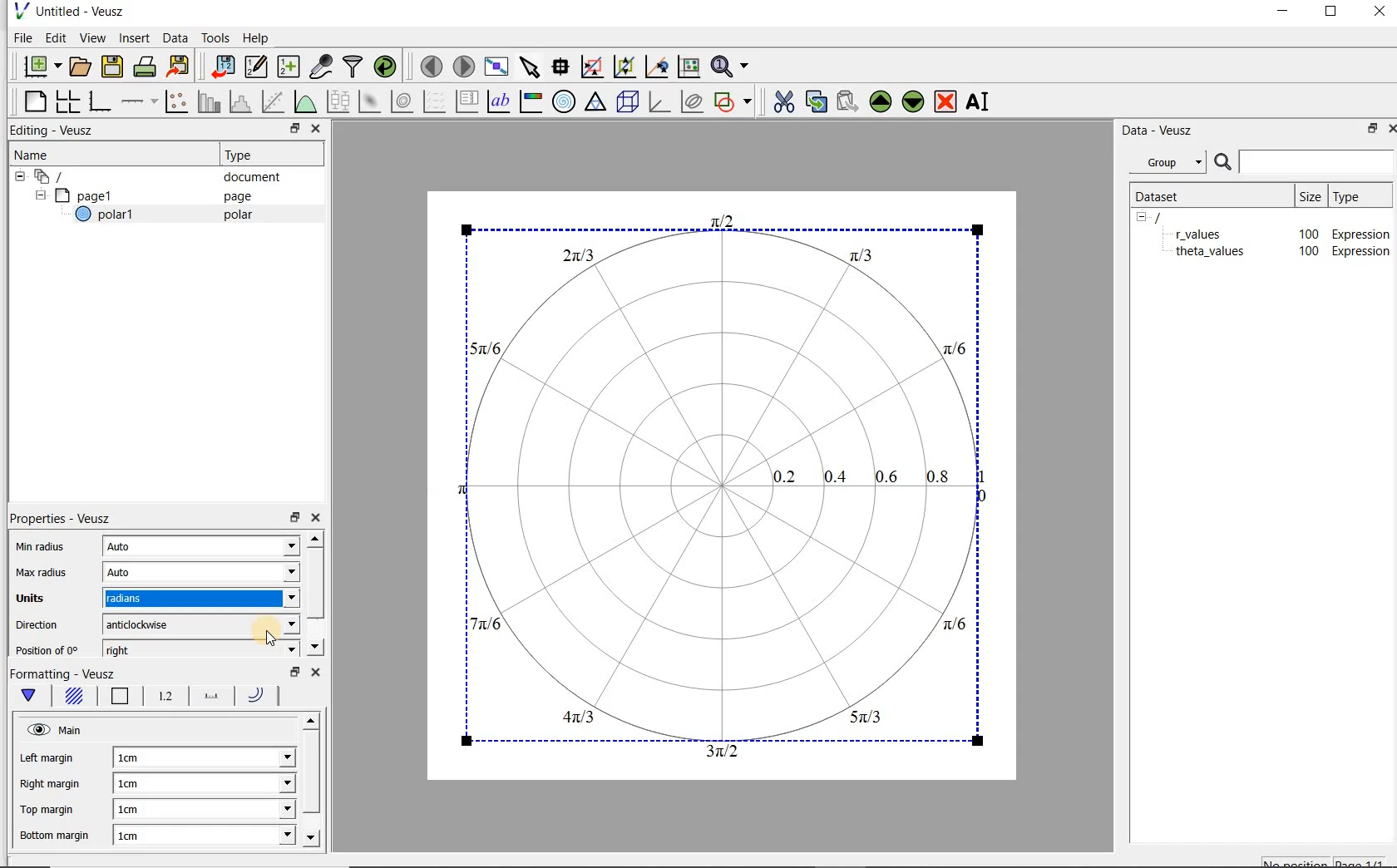 Image resolution: width=1397 pixels, height=868 pixels. What do you see at coordinates (47, 757) in the screenshot?
I see `Left margin` at bounding box center [47, 757].